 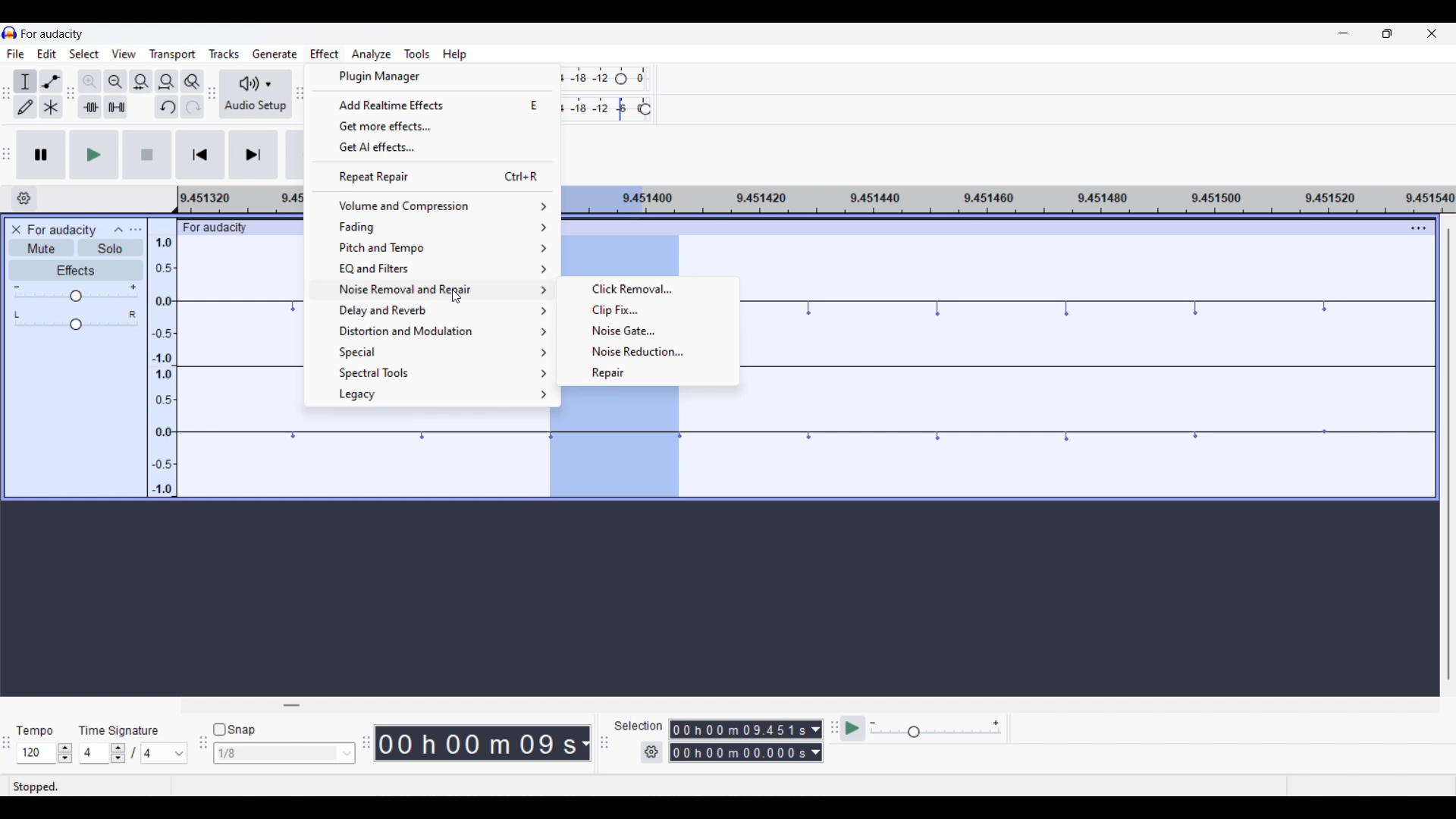 I want to click on Volume scale, so click(x=76, y=293).